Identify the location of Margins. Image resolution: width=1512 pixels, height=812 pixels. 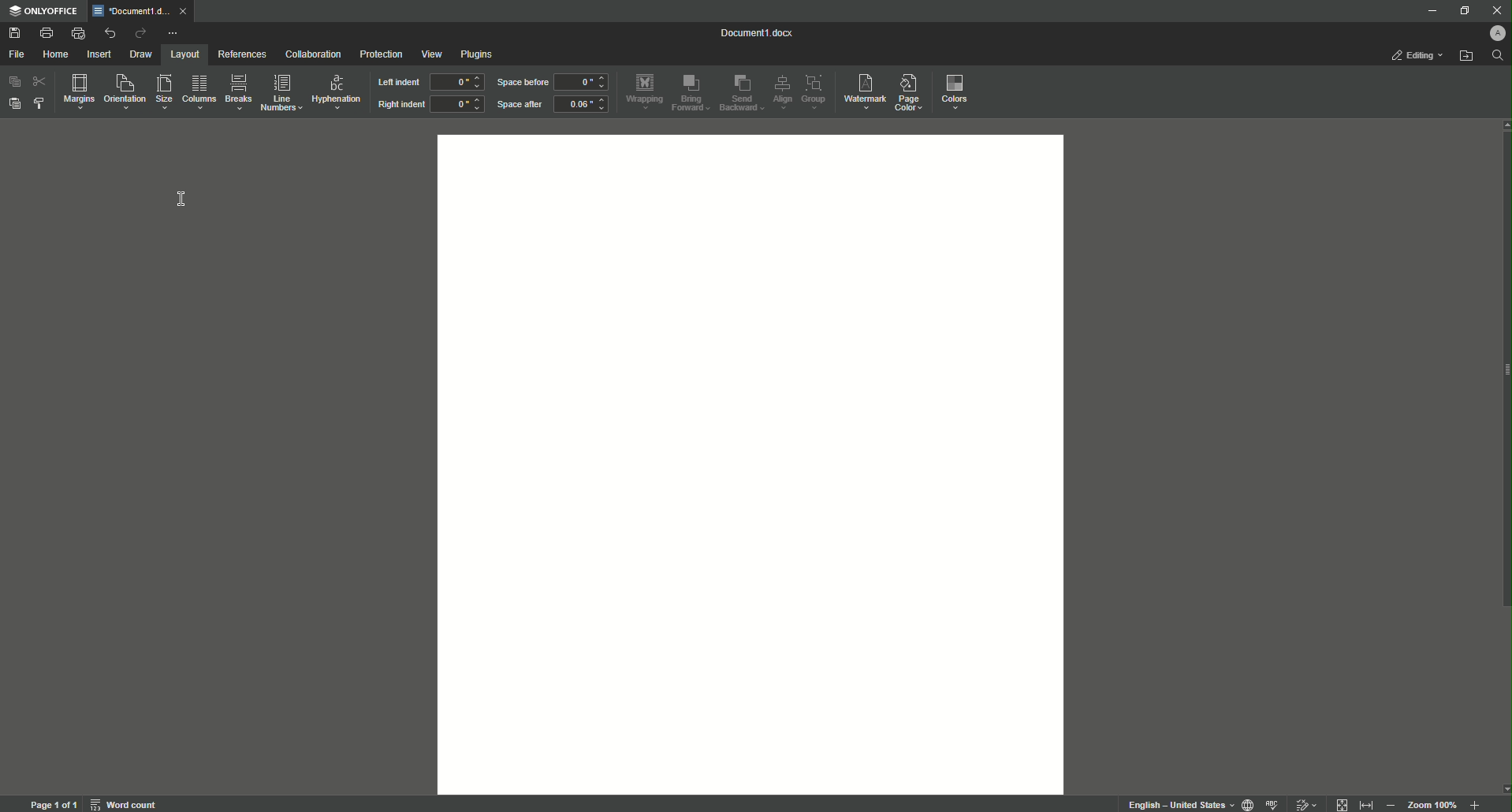
(77, 92).